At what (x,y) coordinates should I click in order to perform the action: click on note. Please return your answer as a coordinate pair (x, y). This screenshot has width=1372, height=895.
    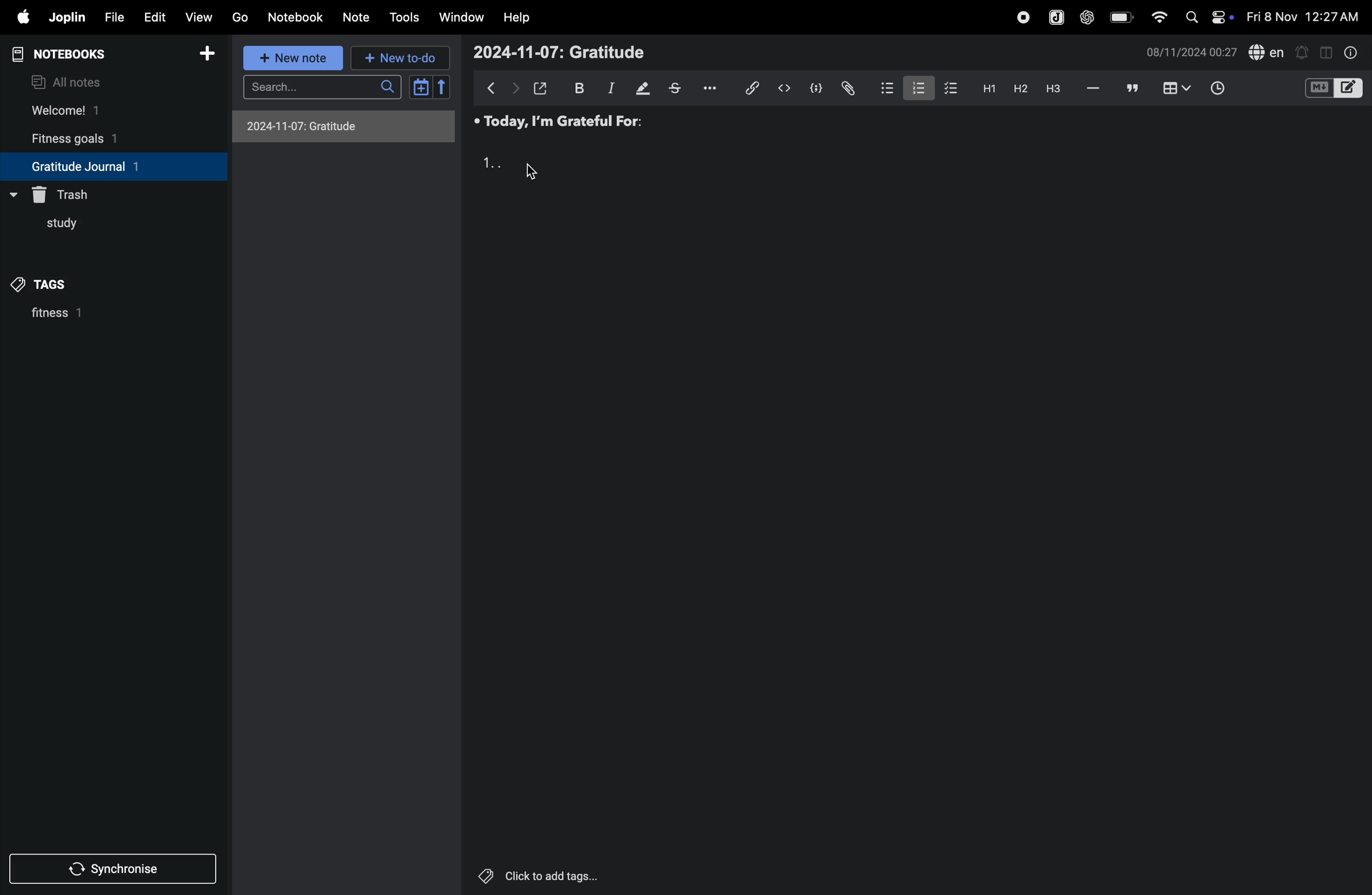
    Looking at the image, I should click on (353, 17).